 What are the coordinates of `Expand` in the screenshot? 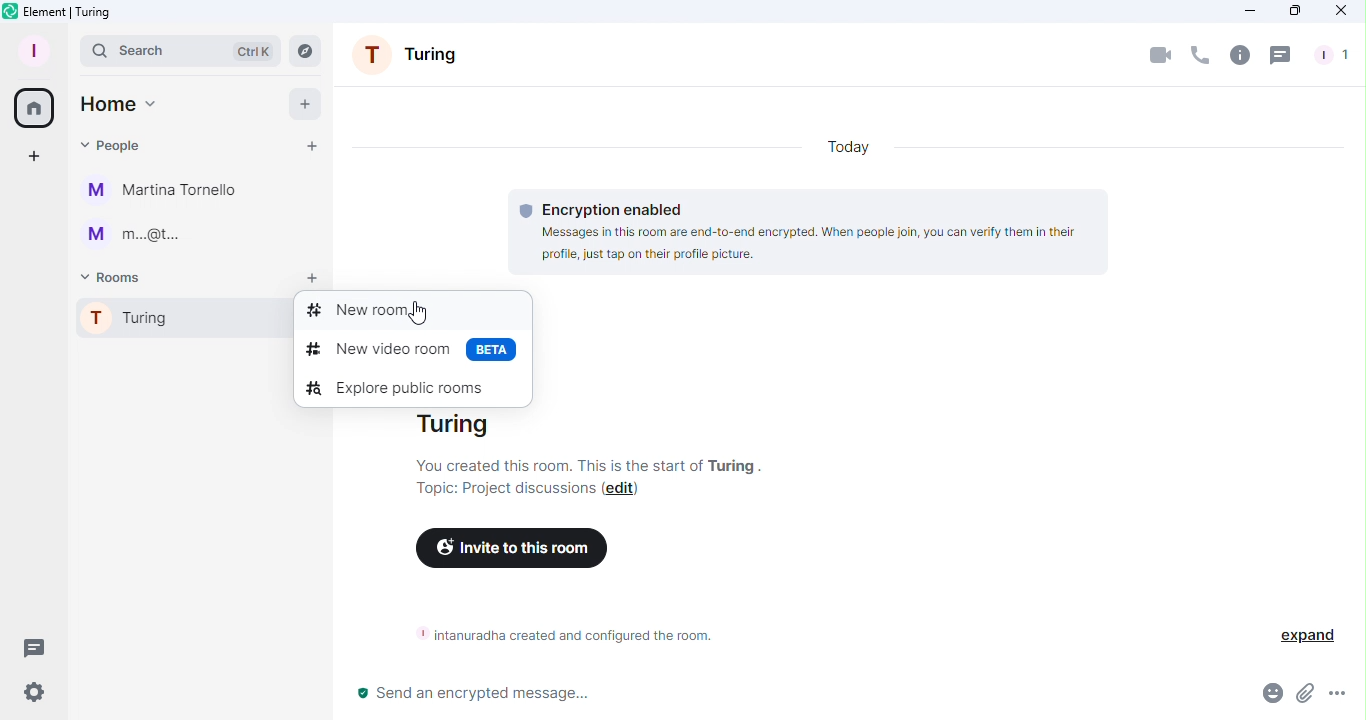 It's located at (1302, 634).